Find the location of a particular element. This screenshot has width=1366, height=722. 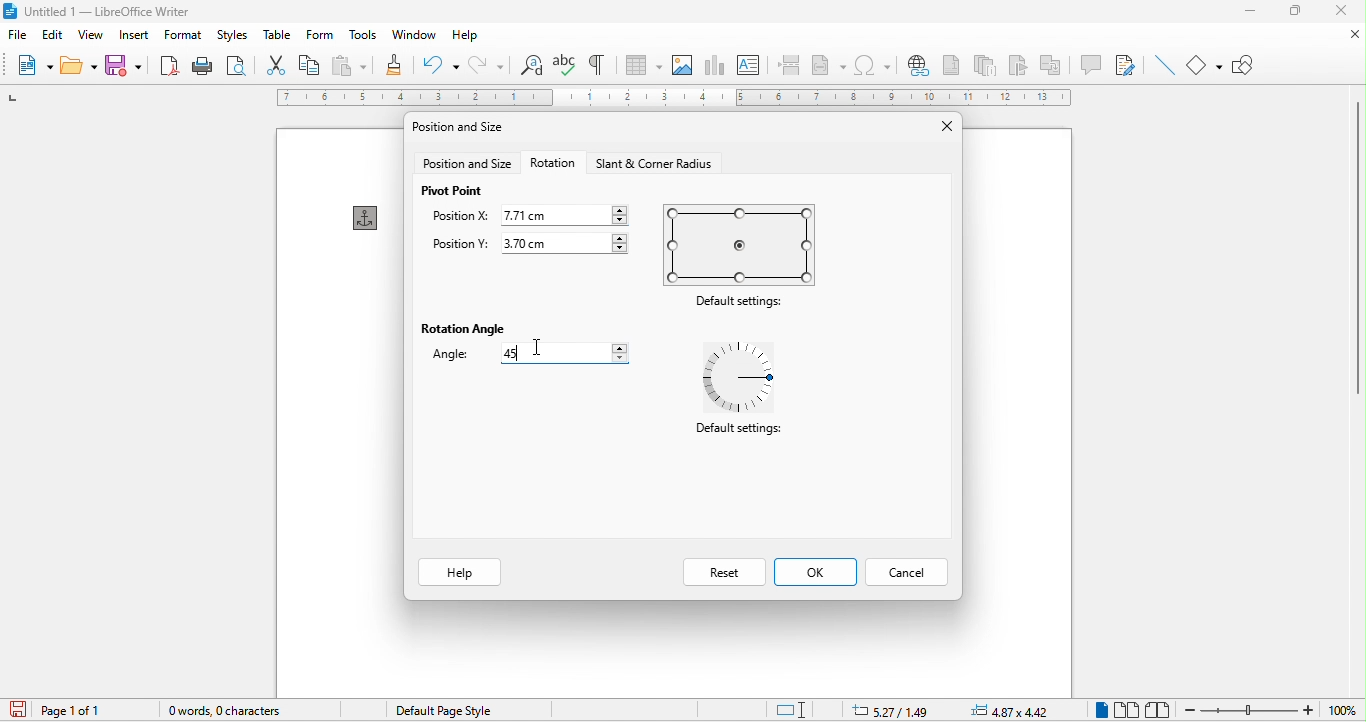

standard selection is located at coordinates (803, 708).